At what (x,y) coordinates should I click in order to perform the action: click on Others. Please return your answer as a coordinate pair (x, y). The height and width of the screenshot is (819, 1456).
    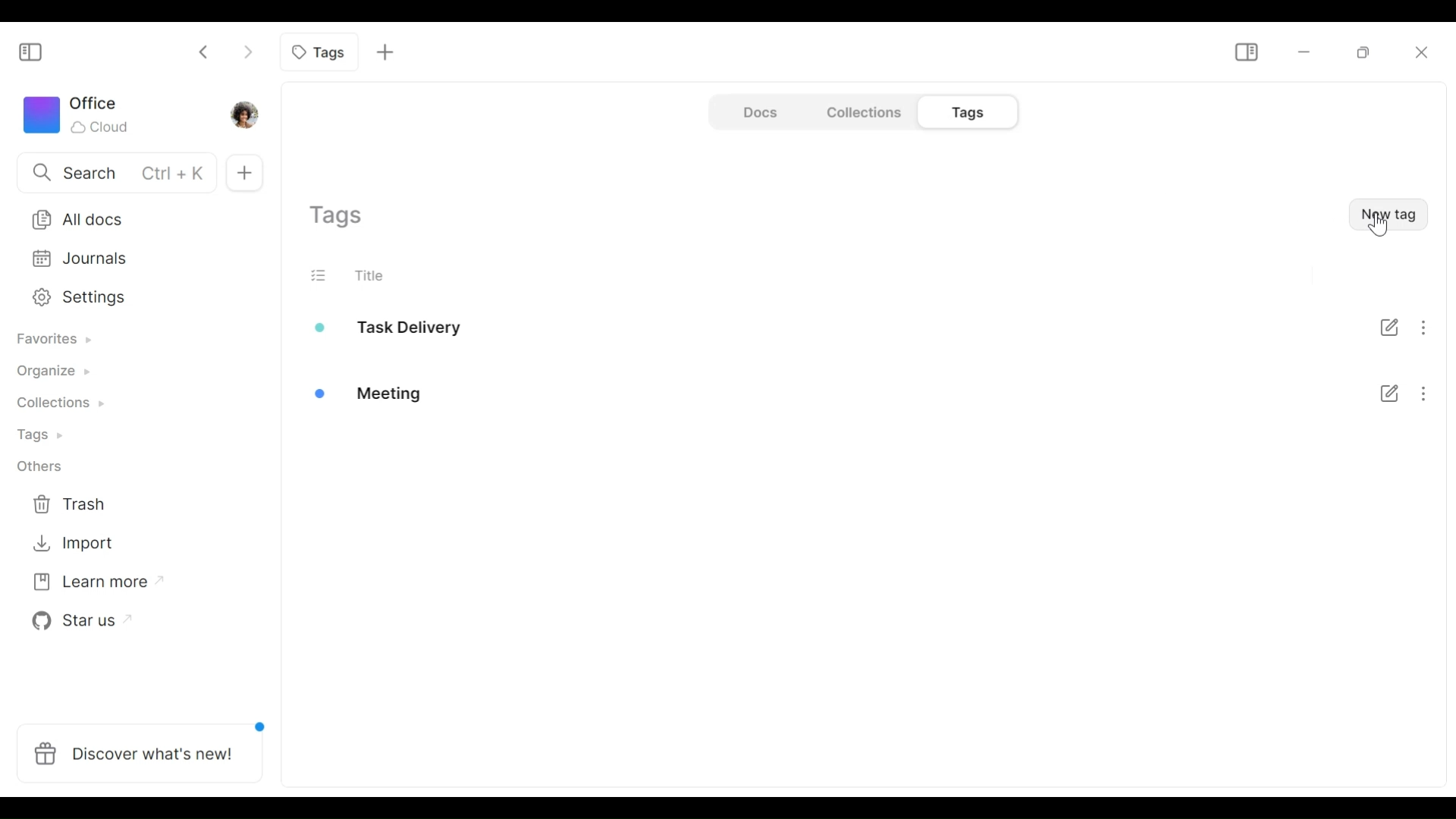
    Looking at the image, I should click on (45, 465).